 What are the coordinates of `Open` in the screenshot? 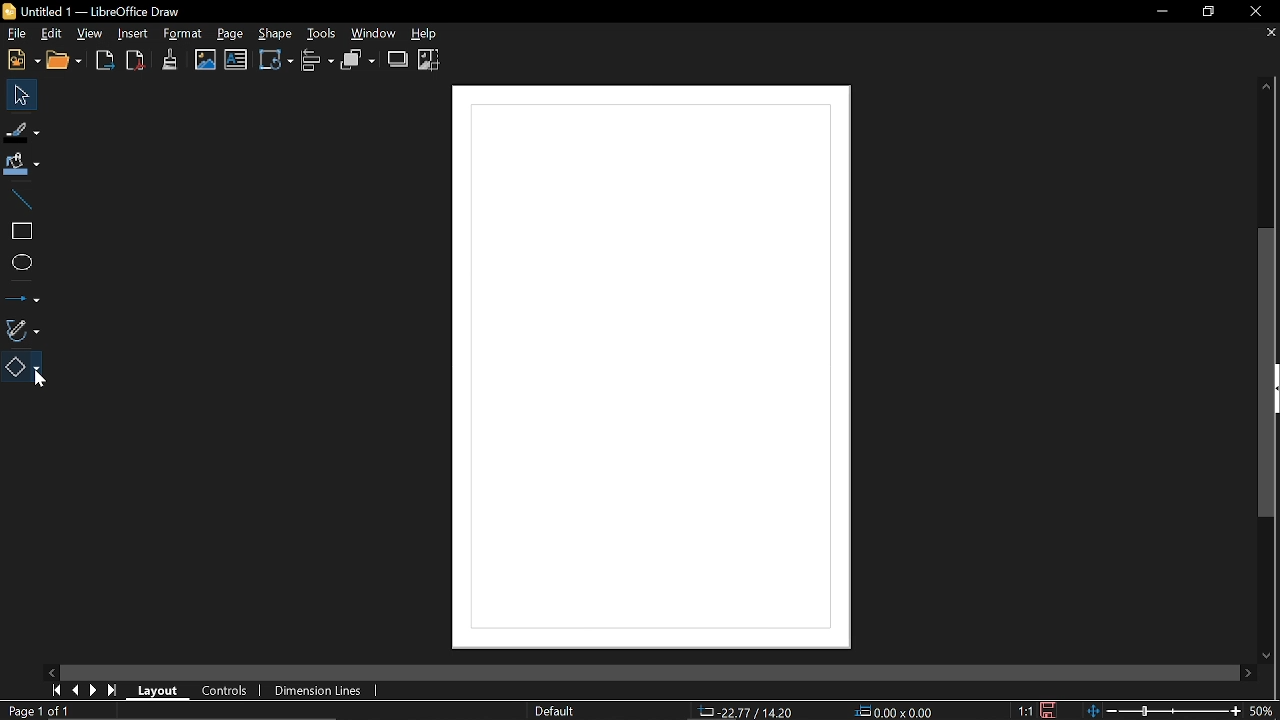 It's located at (68, 62).